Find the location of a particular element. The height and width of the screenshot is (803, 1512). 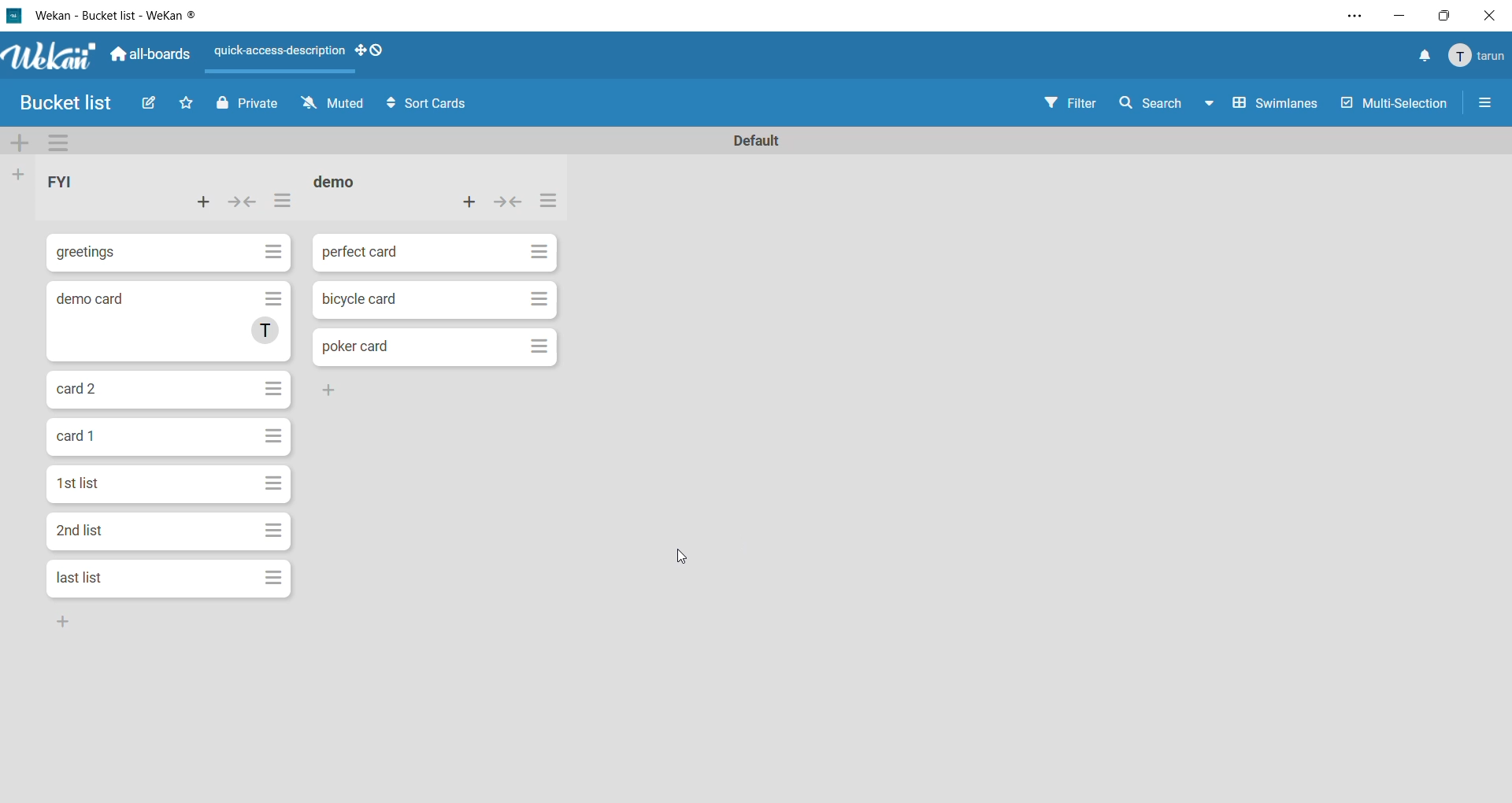

add list is located at coordinates (18, 176).